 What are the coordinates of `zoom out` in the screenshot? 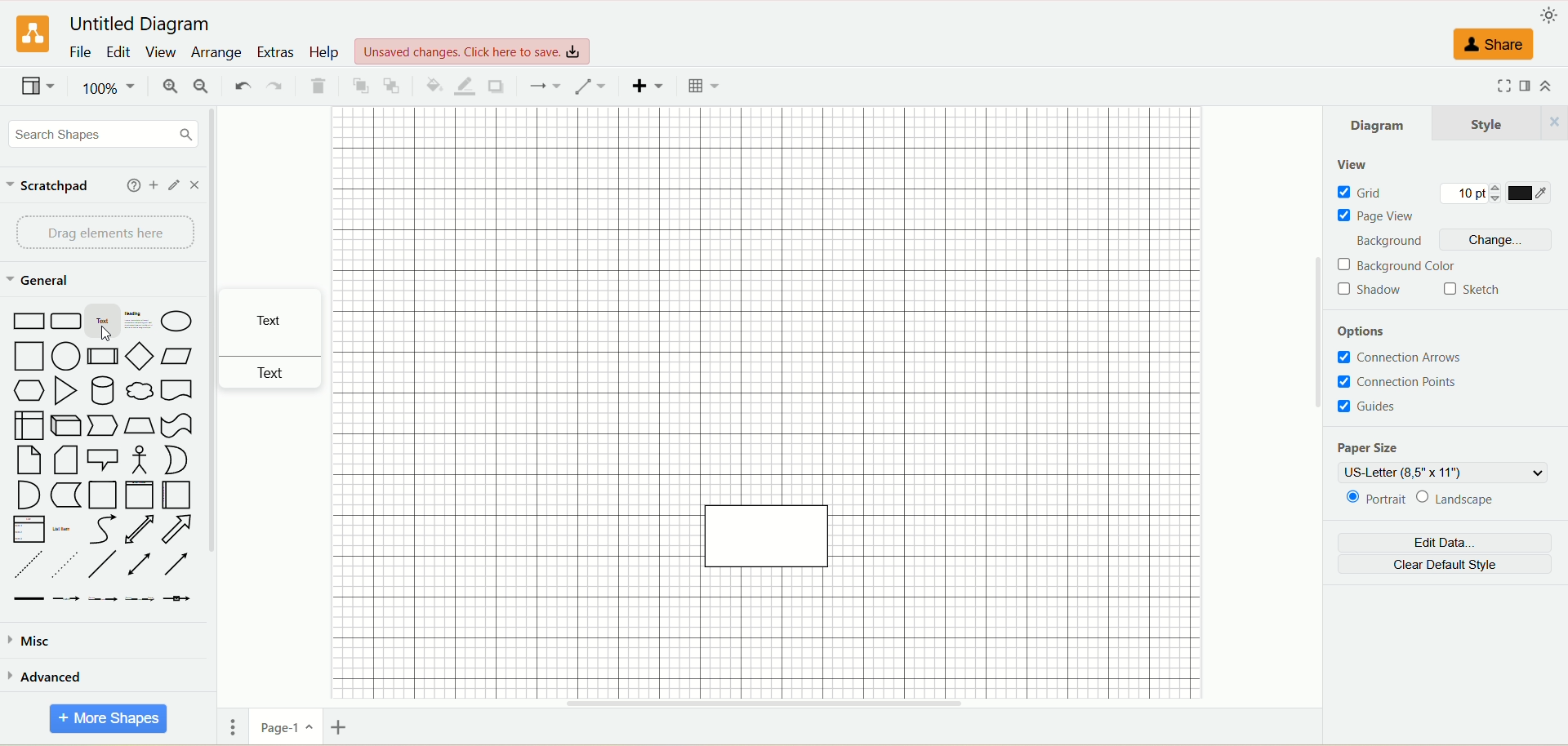 It's located at (200, 87).